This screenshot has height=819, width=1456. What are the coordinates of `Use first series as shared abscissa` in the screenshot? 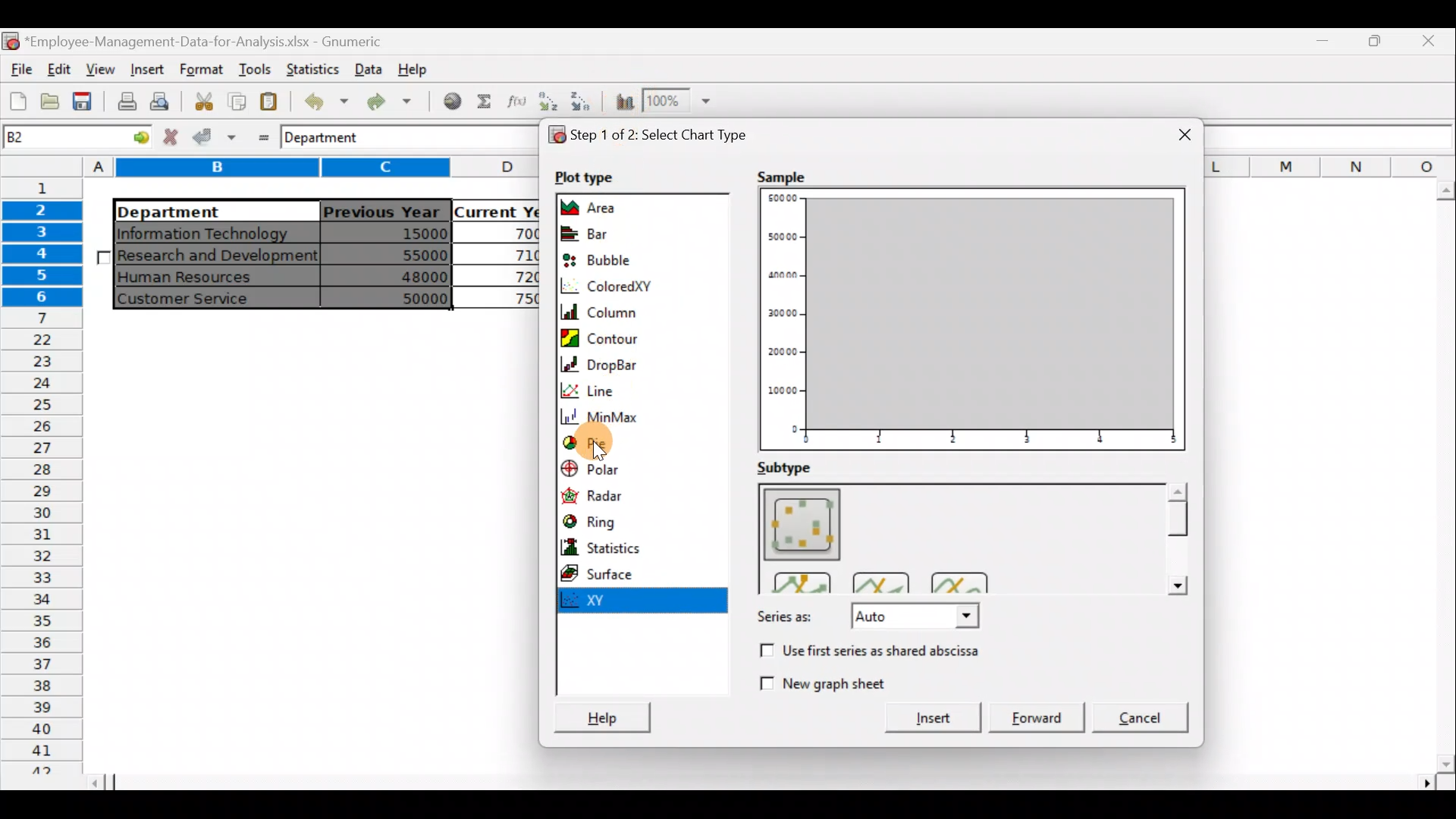 It's located at (886, 651).